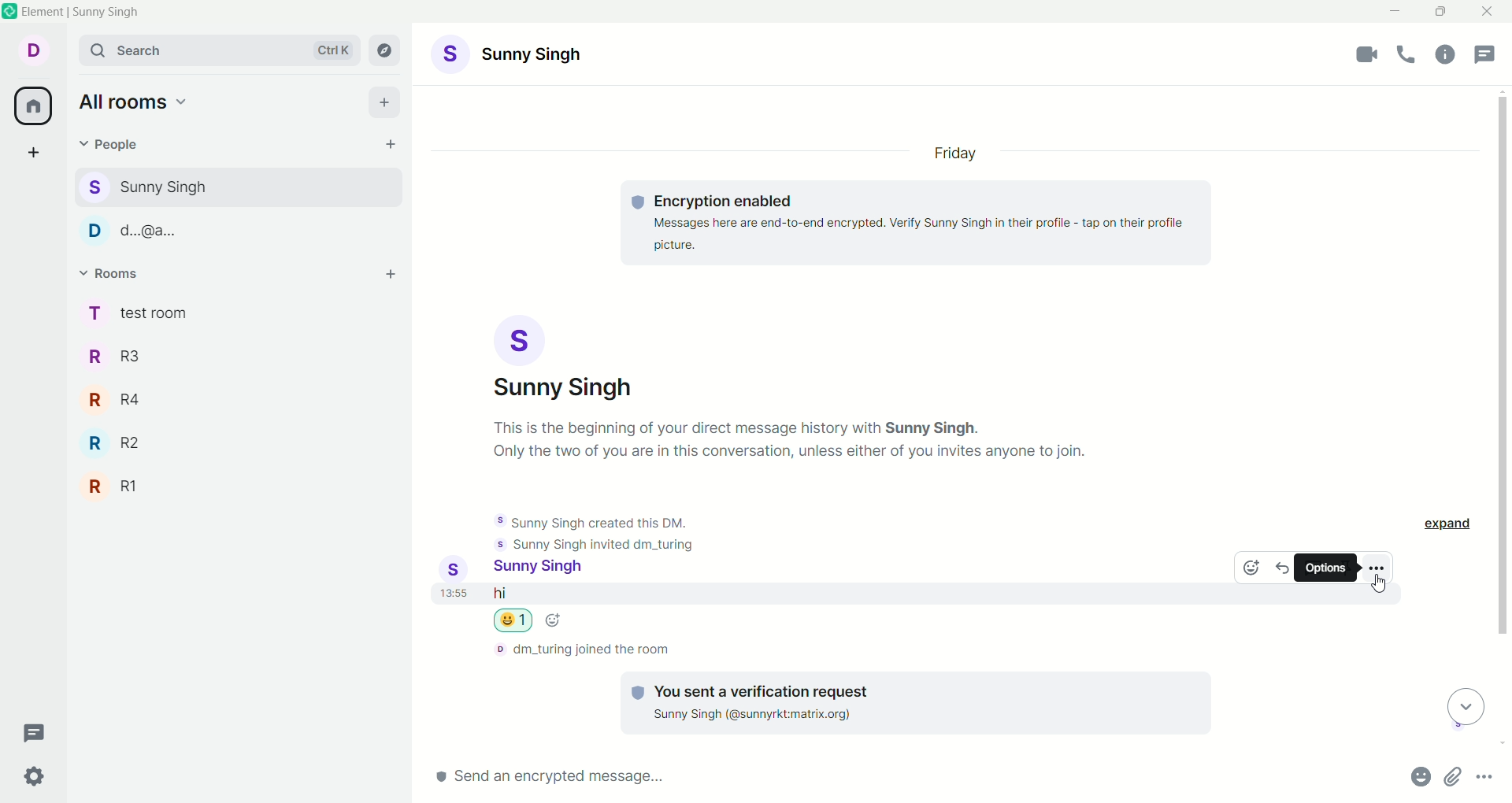 Image resolution: width=1512 pixels, height=803 pixels. I want to click on create a space, so click(35, 156).